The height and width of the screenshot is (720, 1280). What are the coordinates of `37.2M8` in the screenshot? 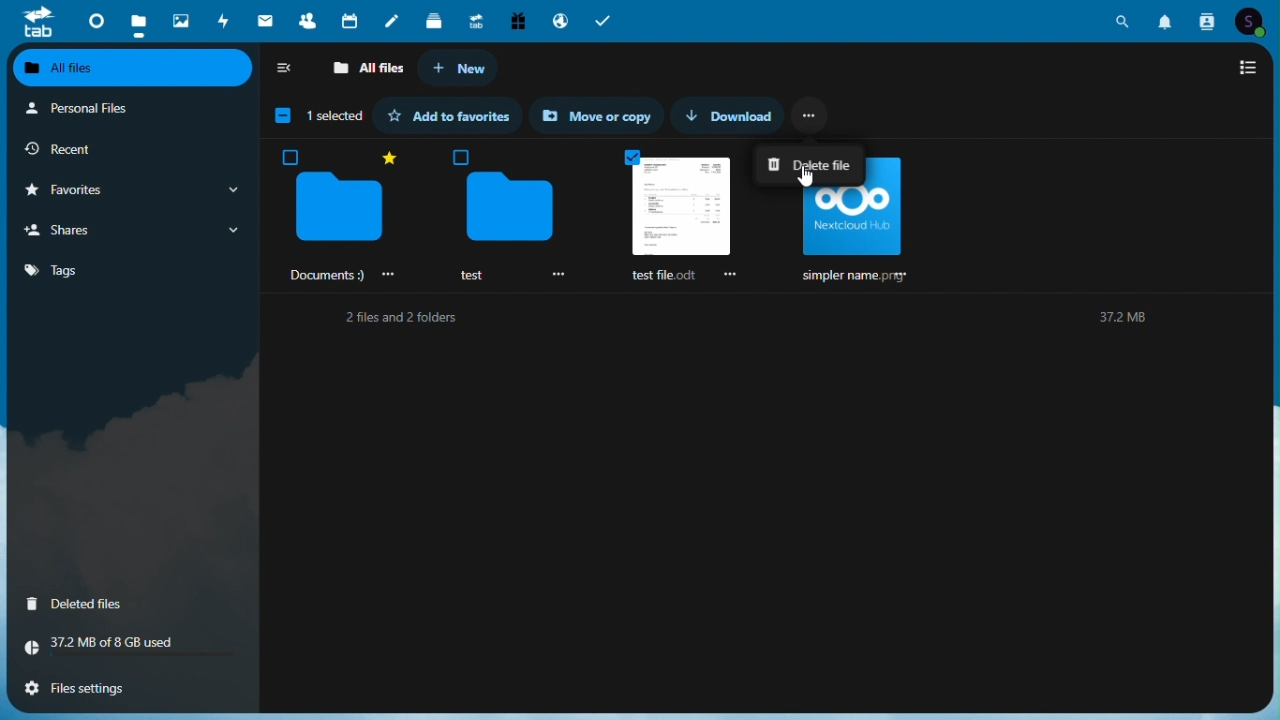 It's located at (1123, 315).